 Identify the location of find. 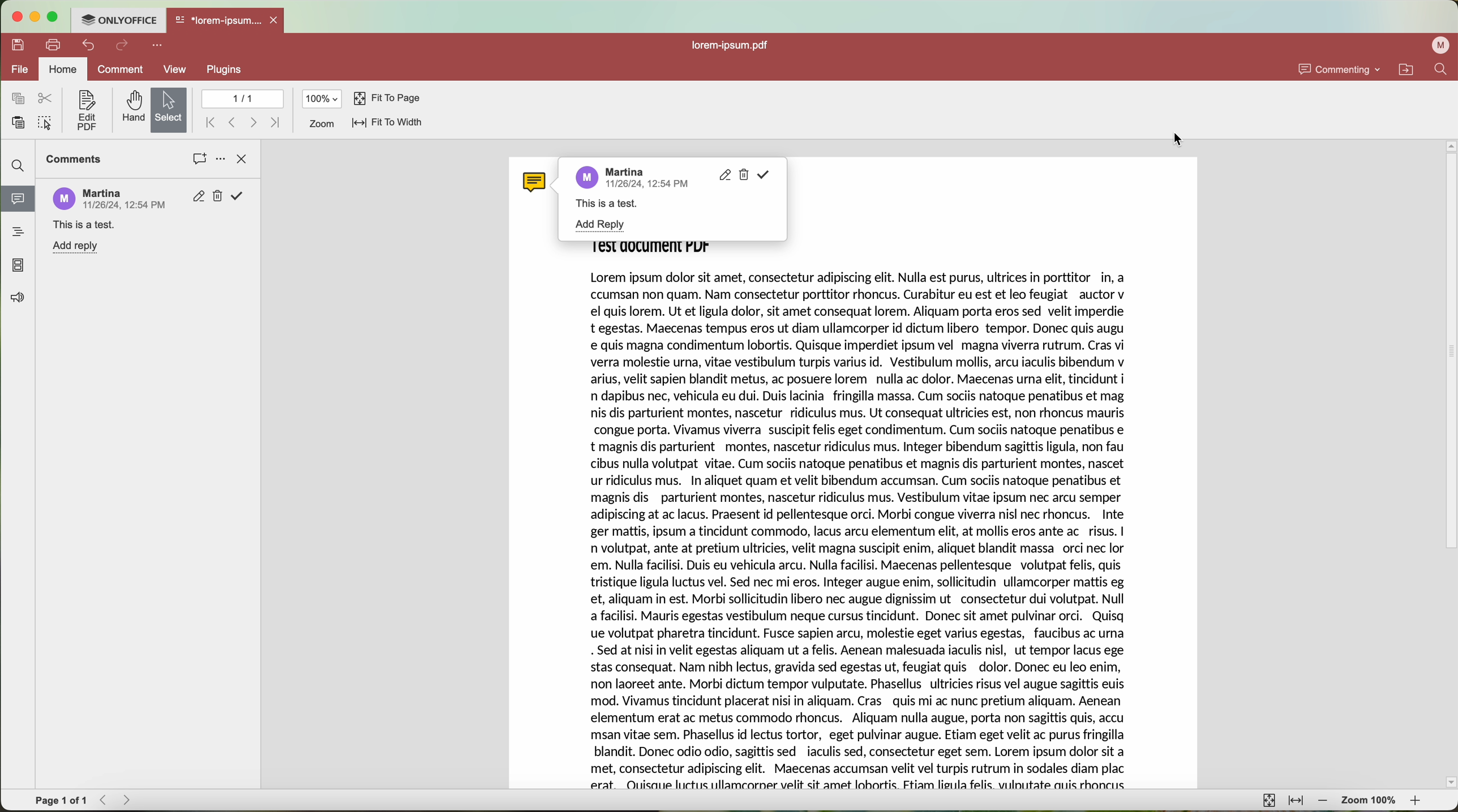
(20, 166).